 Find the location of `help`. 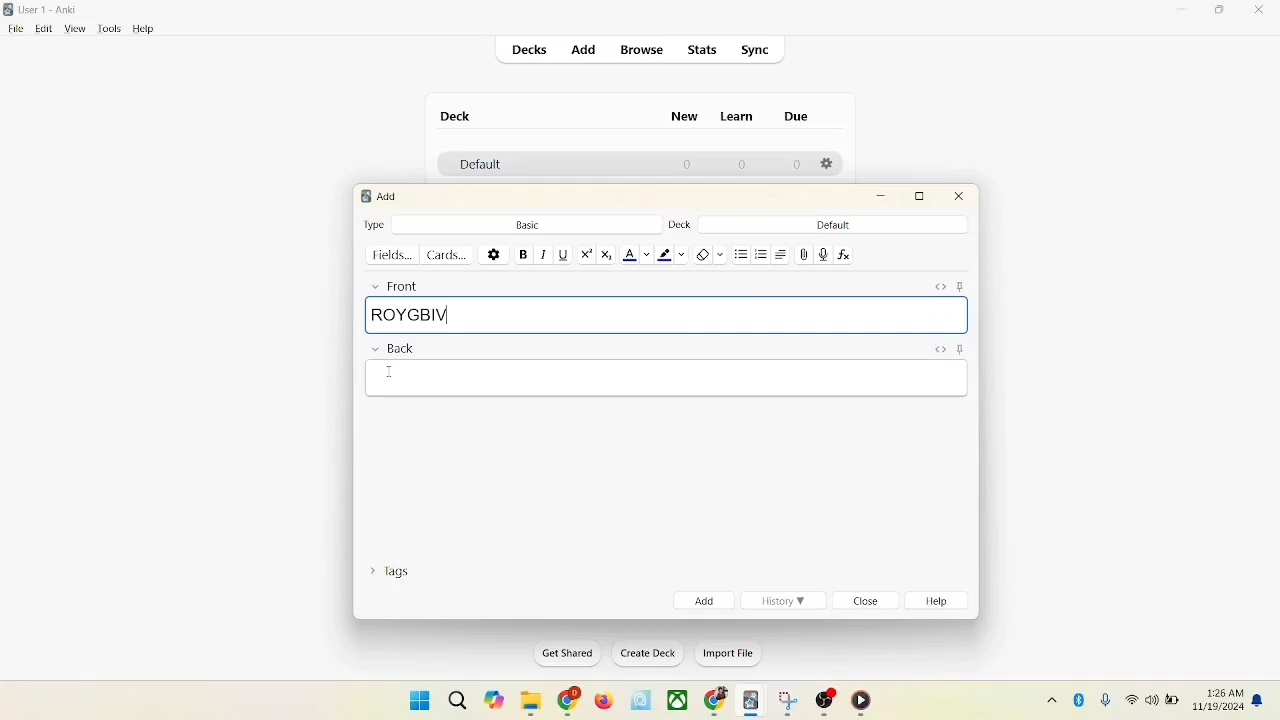

help is located at coordinates (144, 29).